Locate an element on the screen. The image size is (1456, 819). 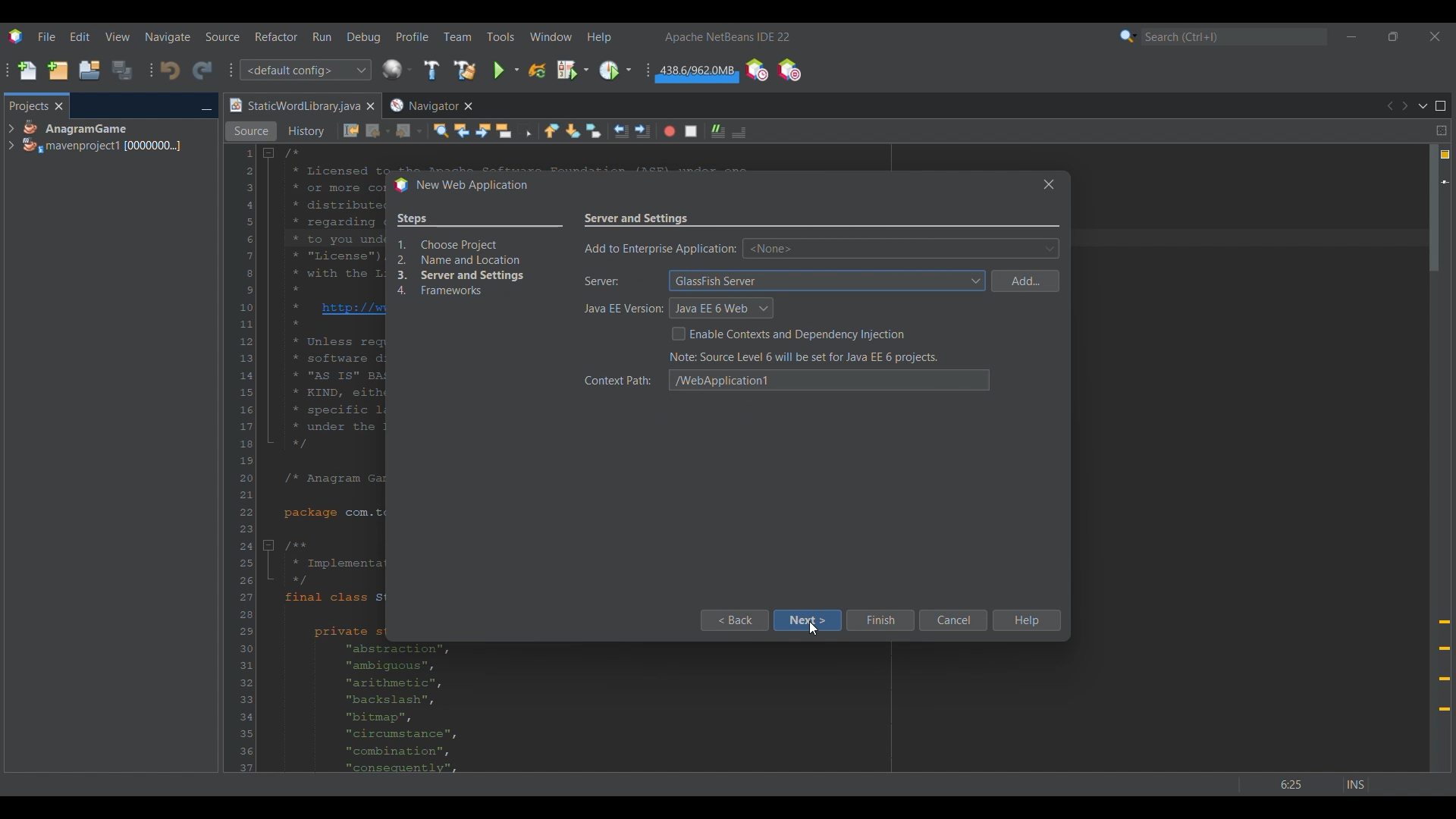
Pause I/O checks is located at coordinates (789, 70).